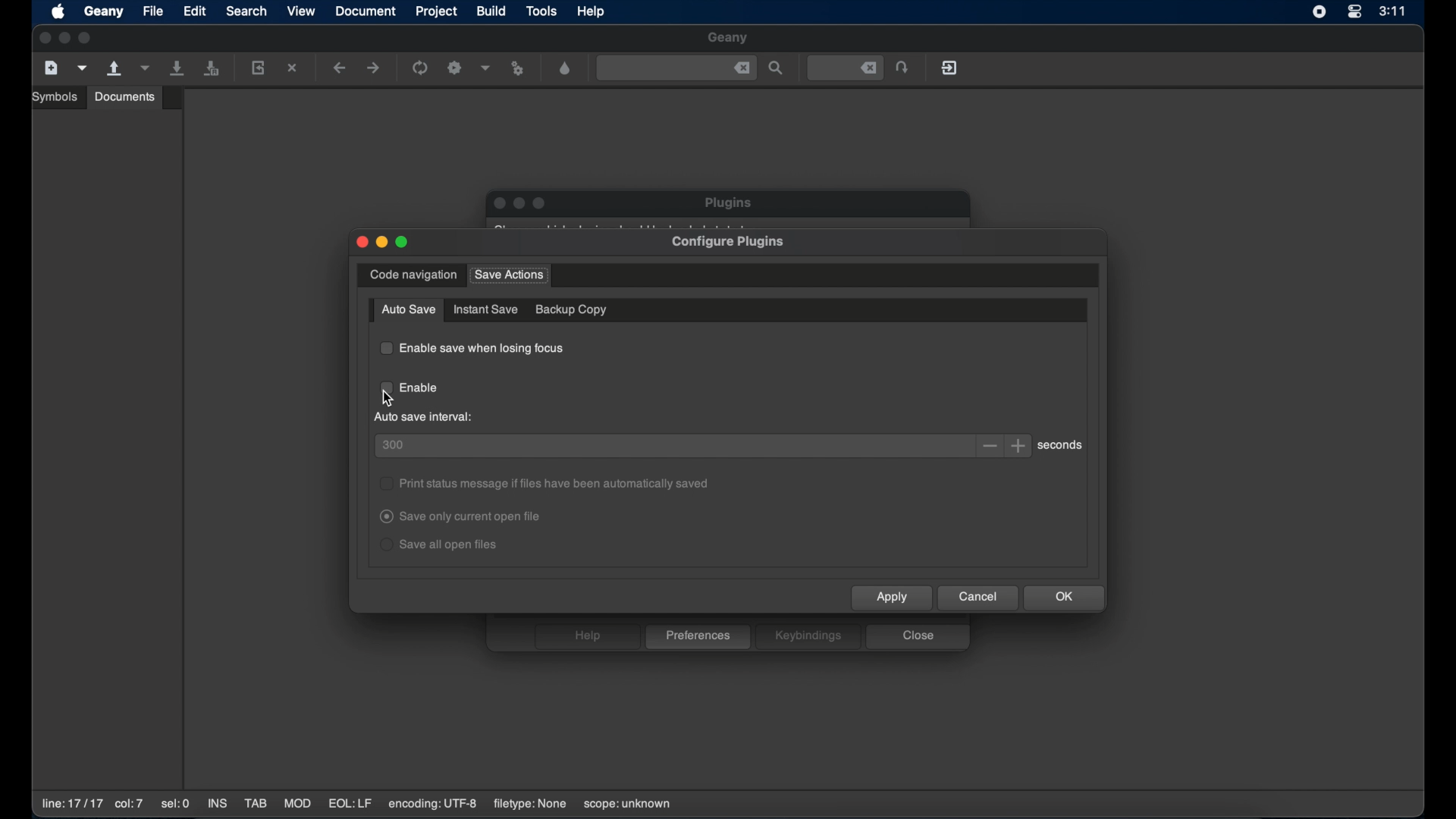  I want to click on backup copy, so click(572, 309).